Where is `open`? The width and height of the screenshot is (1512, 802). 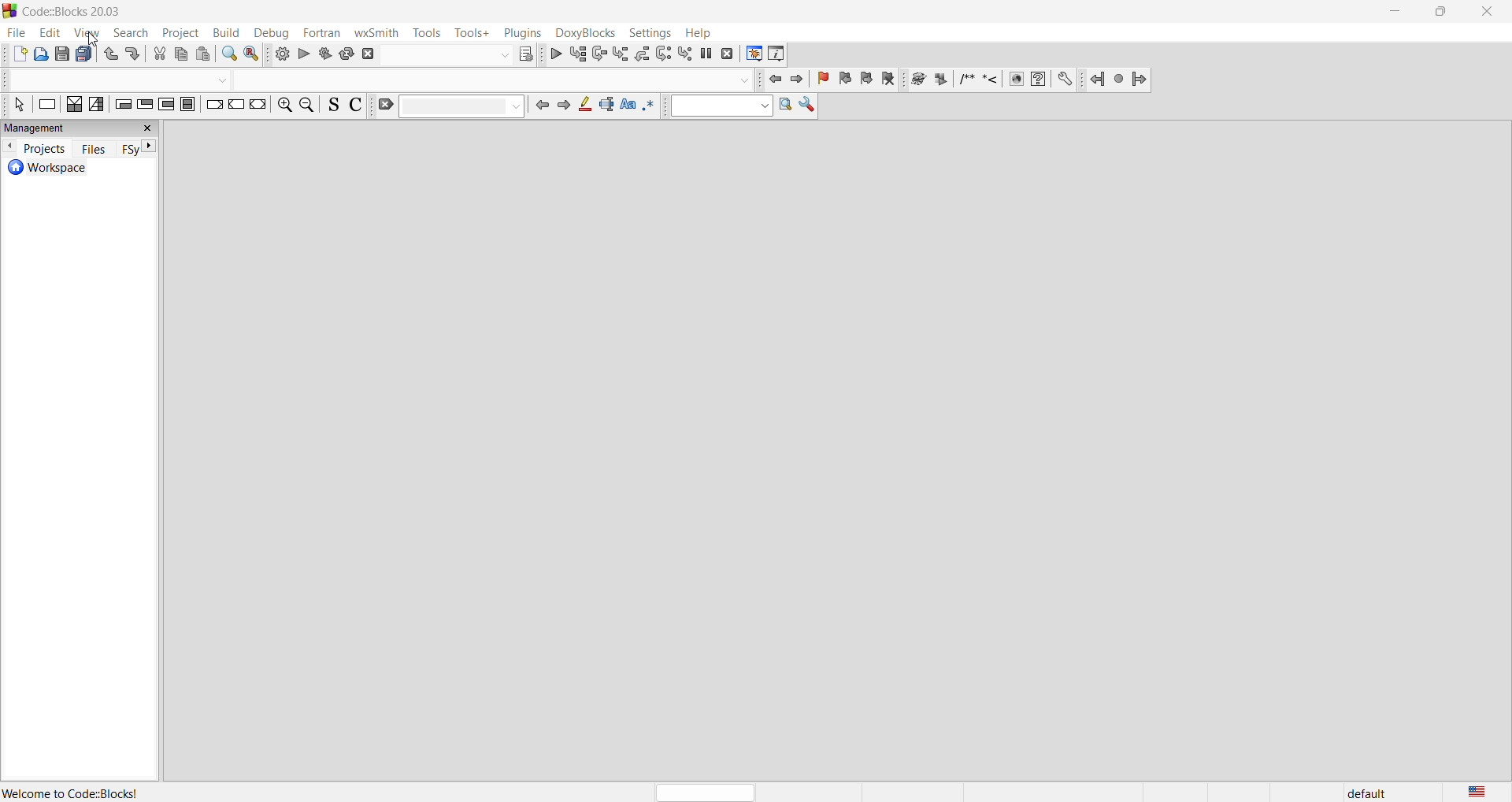
open is located at coordinates (42, 54).